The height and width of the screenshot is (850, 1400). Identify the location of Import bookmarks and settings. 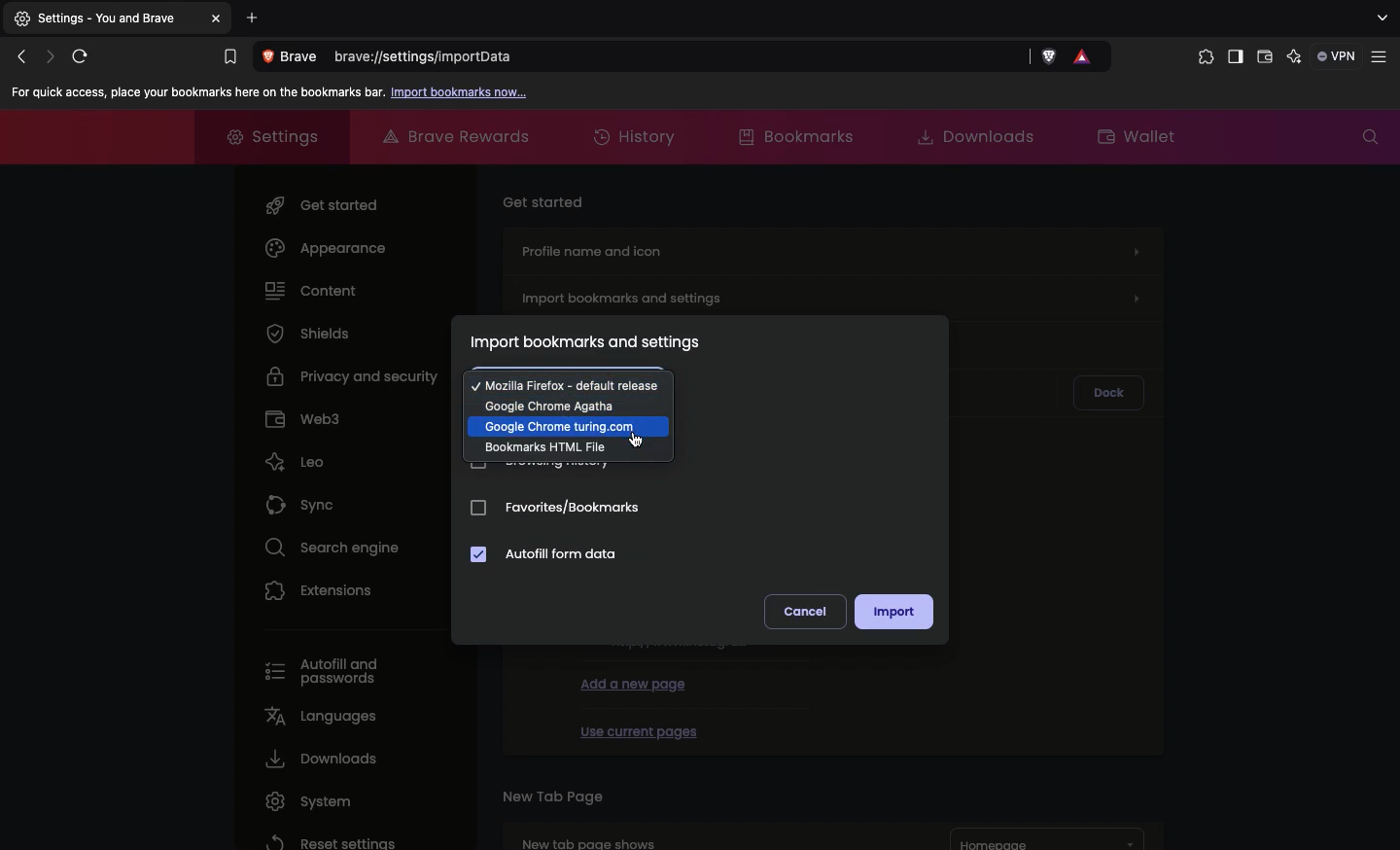
(585, 342).